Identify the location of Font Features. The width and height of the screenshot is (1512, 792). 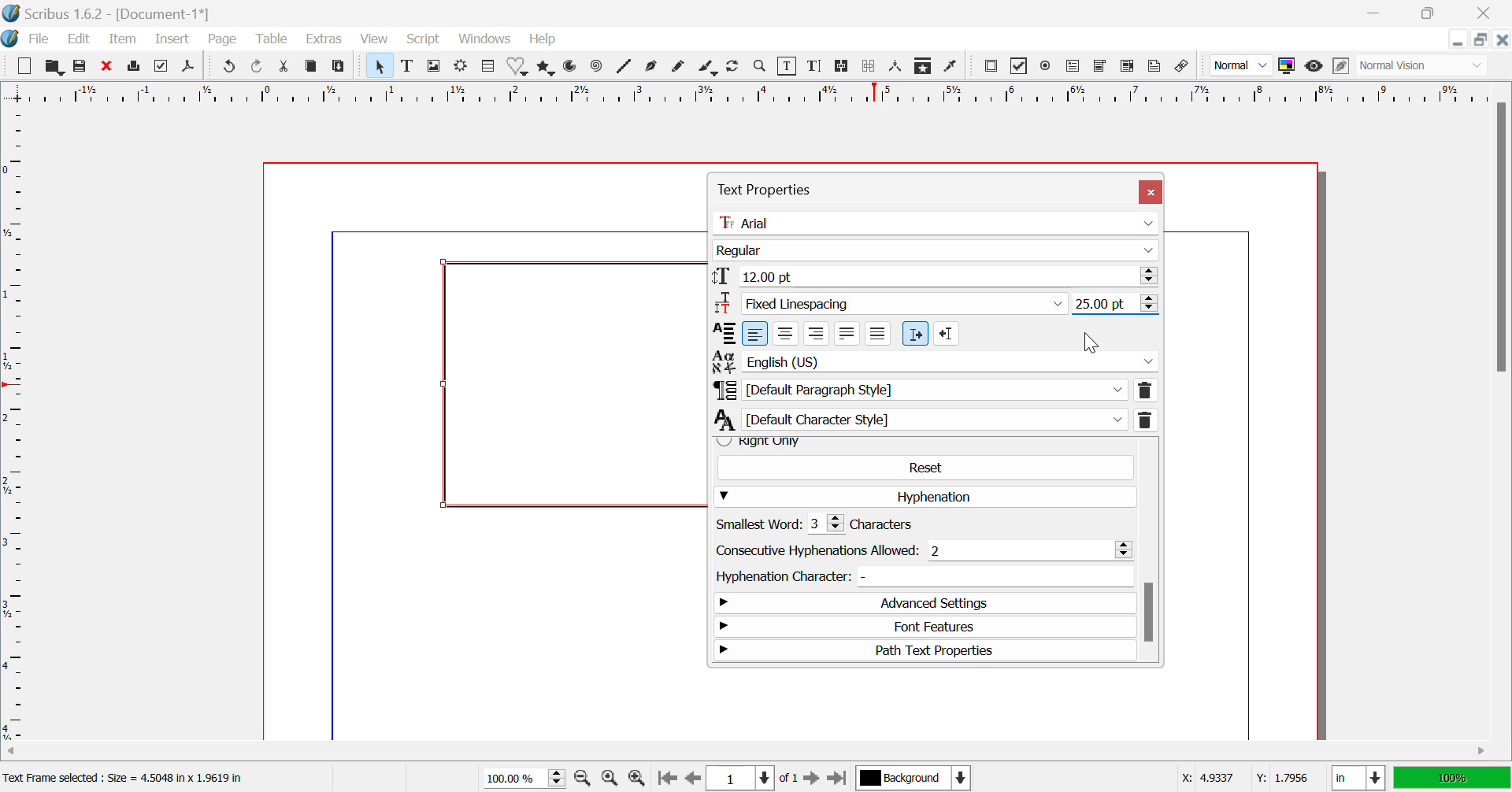
(925, 628).